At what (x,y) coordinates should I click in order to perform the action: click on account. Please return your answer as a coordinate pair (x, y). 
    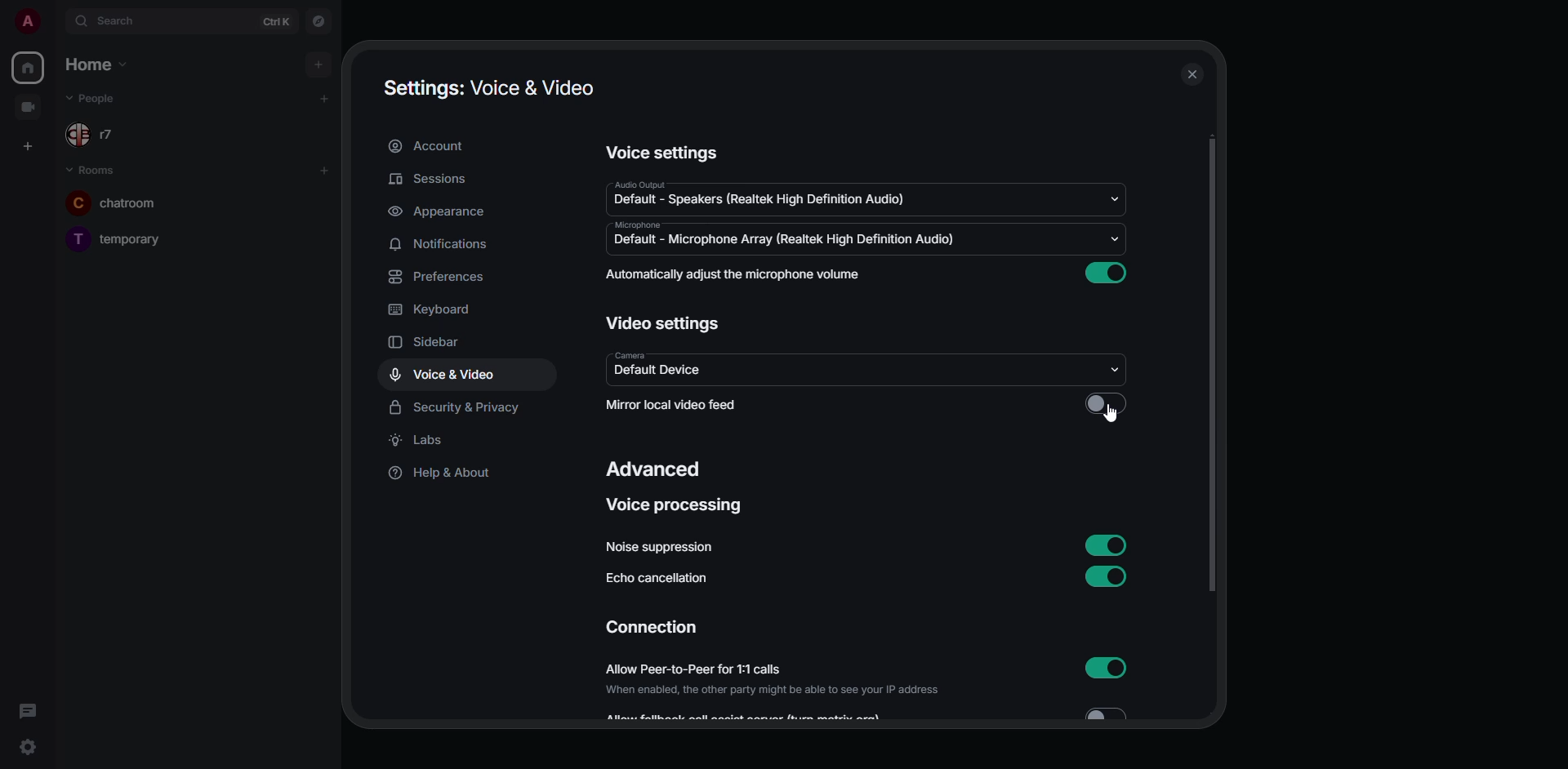
    Looking at the image, I should click on (439, 148).